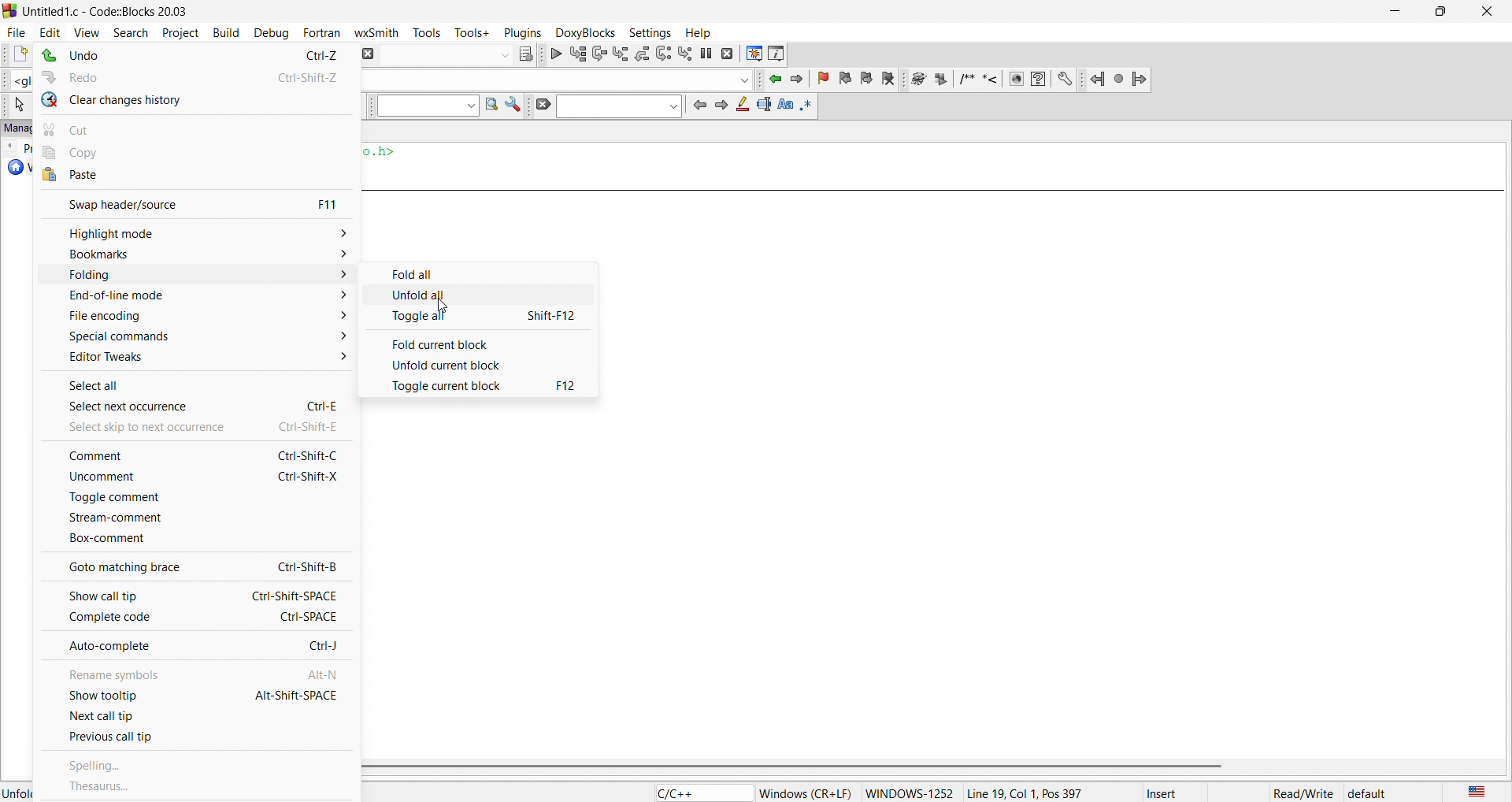  What do you see at coordinates (49, 31) in the screenshot?
I see `edit` at bounding box center [49, 31].